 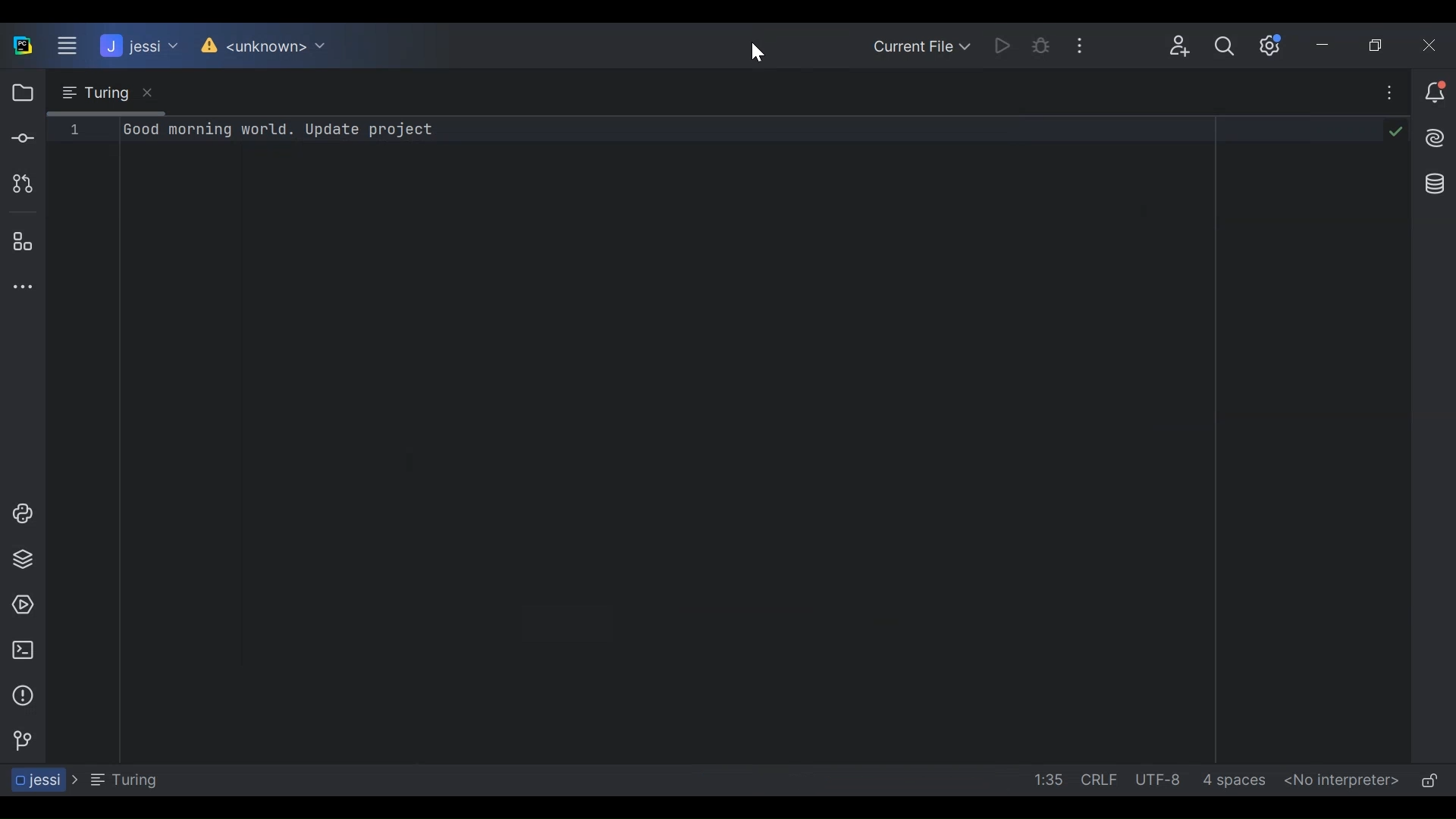 What do you see at coordinates (1225, 49) in the screenshot?
I see `Search` at bounding box center [1225, 49].